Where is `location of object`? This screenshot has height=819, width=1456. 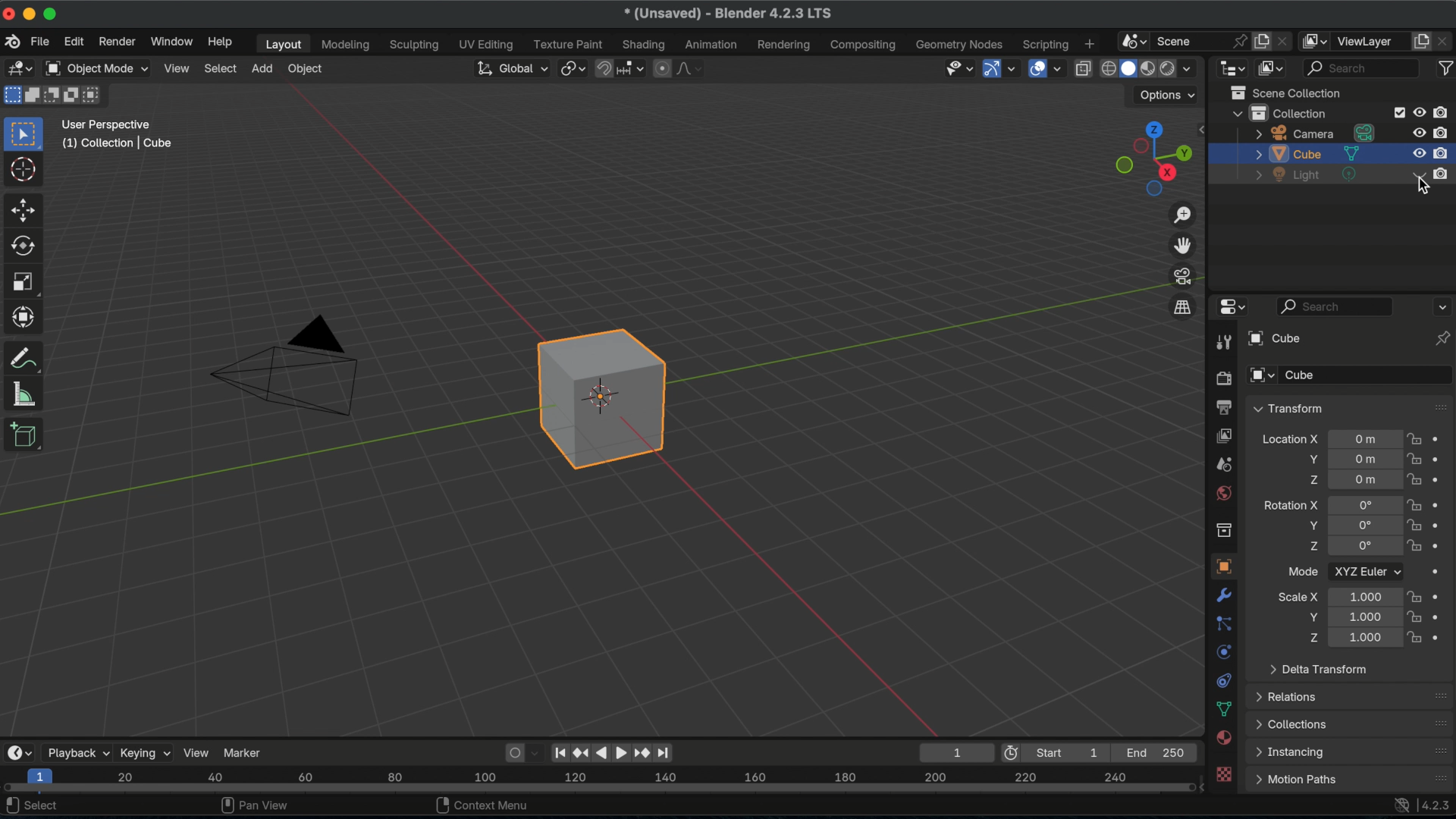 location of object is located at coordinates (1365, 481).